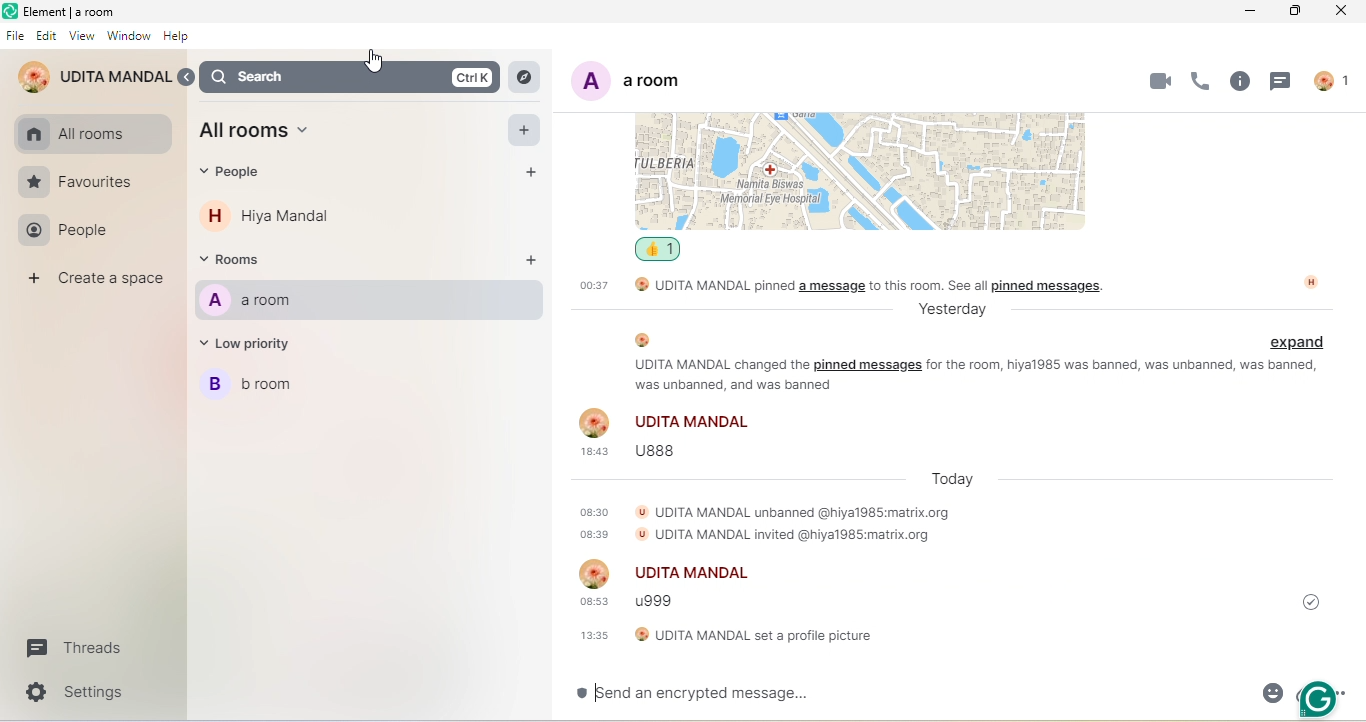 The height and width of the screenshot is (722, 1366). Describe the element at coordinates (657, 249) in the screenshot. I see `Like/Unlike` at that location.